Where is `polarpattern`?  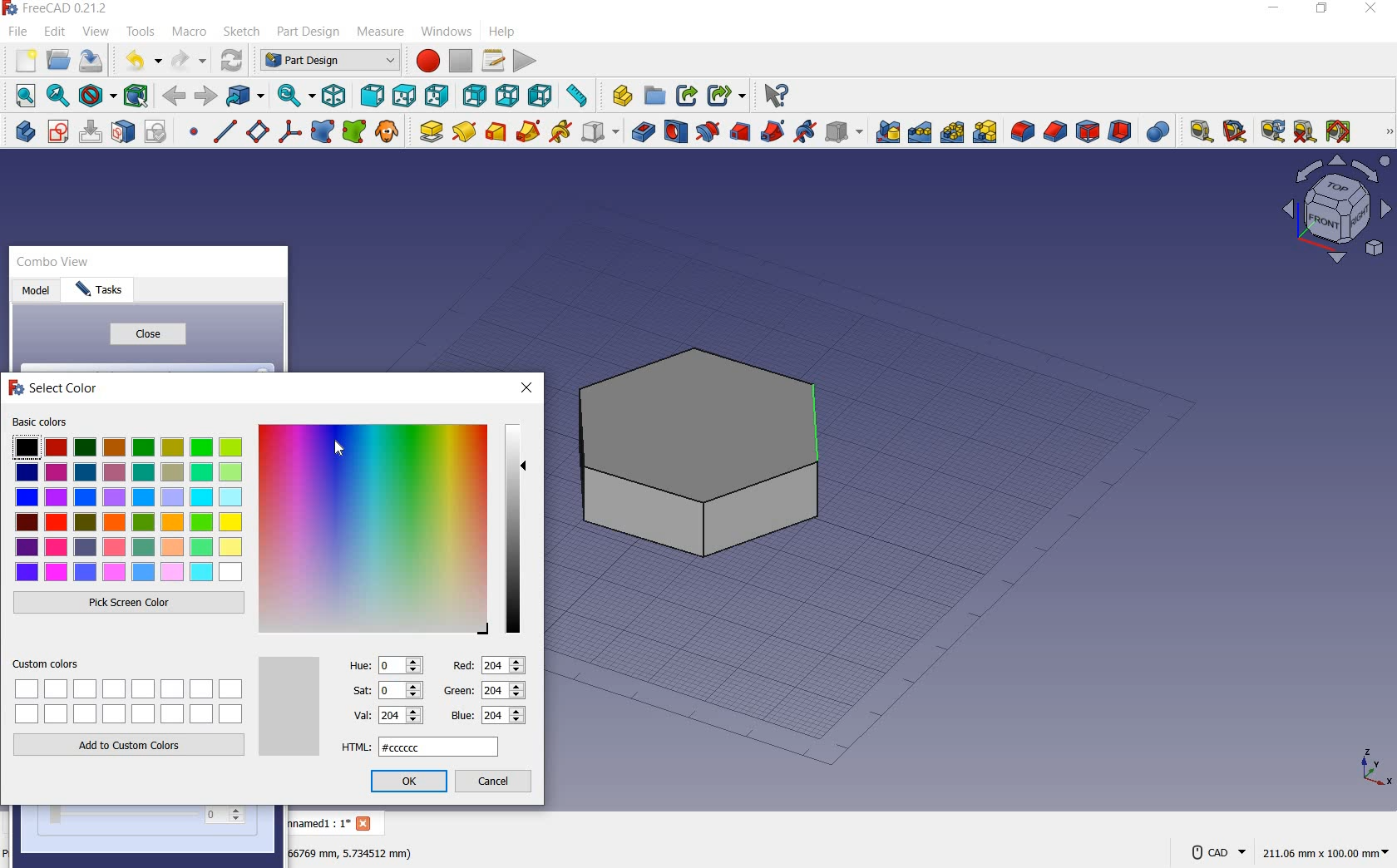
polarpattern is located at coordinates (953, 131).